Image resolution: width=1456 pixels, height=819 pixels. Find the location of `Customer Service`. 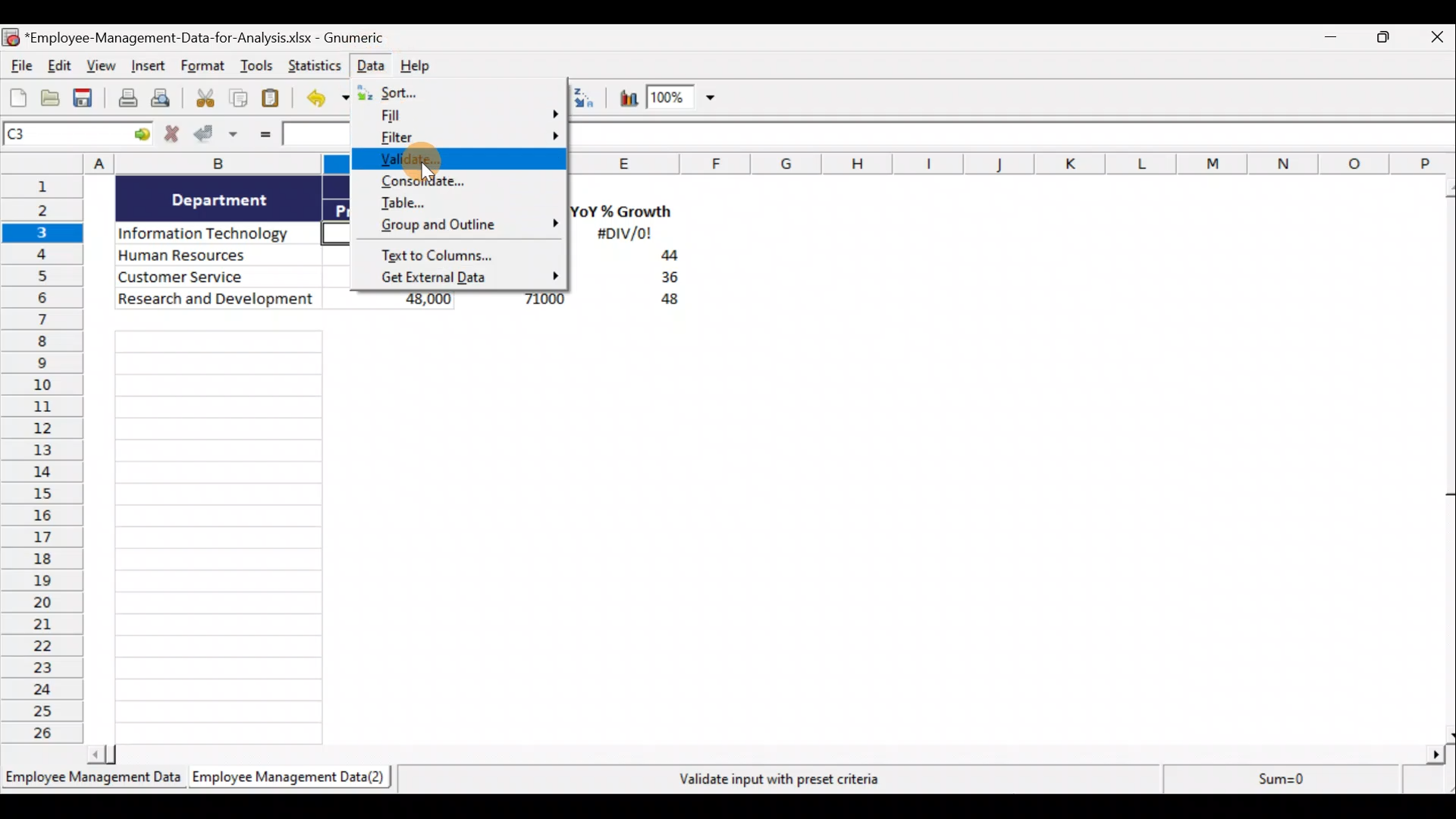

Customer Service is located at coordinates (218, 275).